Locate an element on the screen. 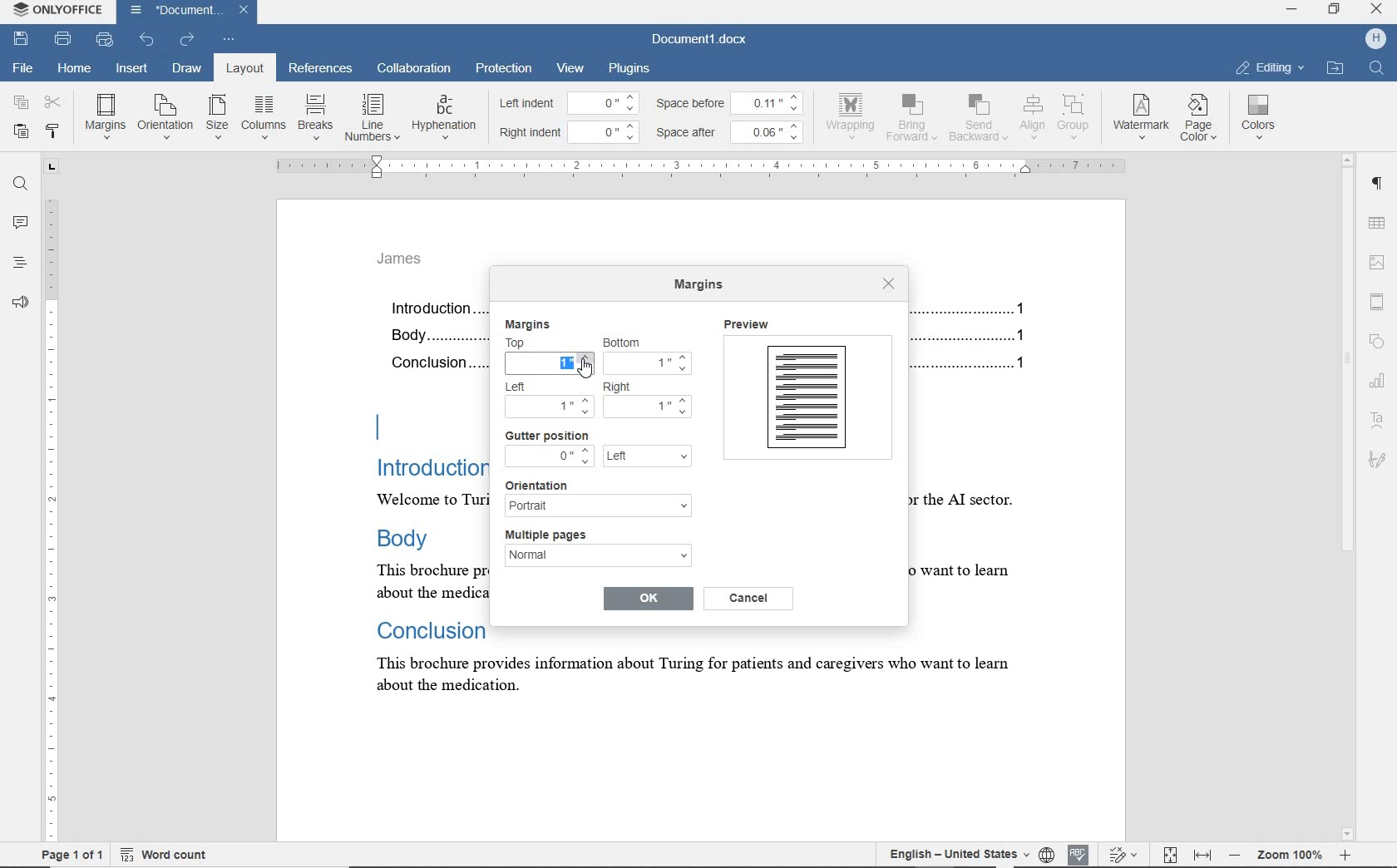 The width and height of the screenshot is (1397, 868). margins is located at coordinates (527, 324).